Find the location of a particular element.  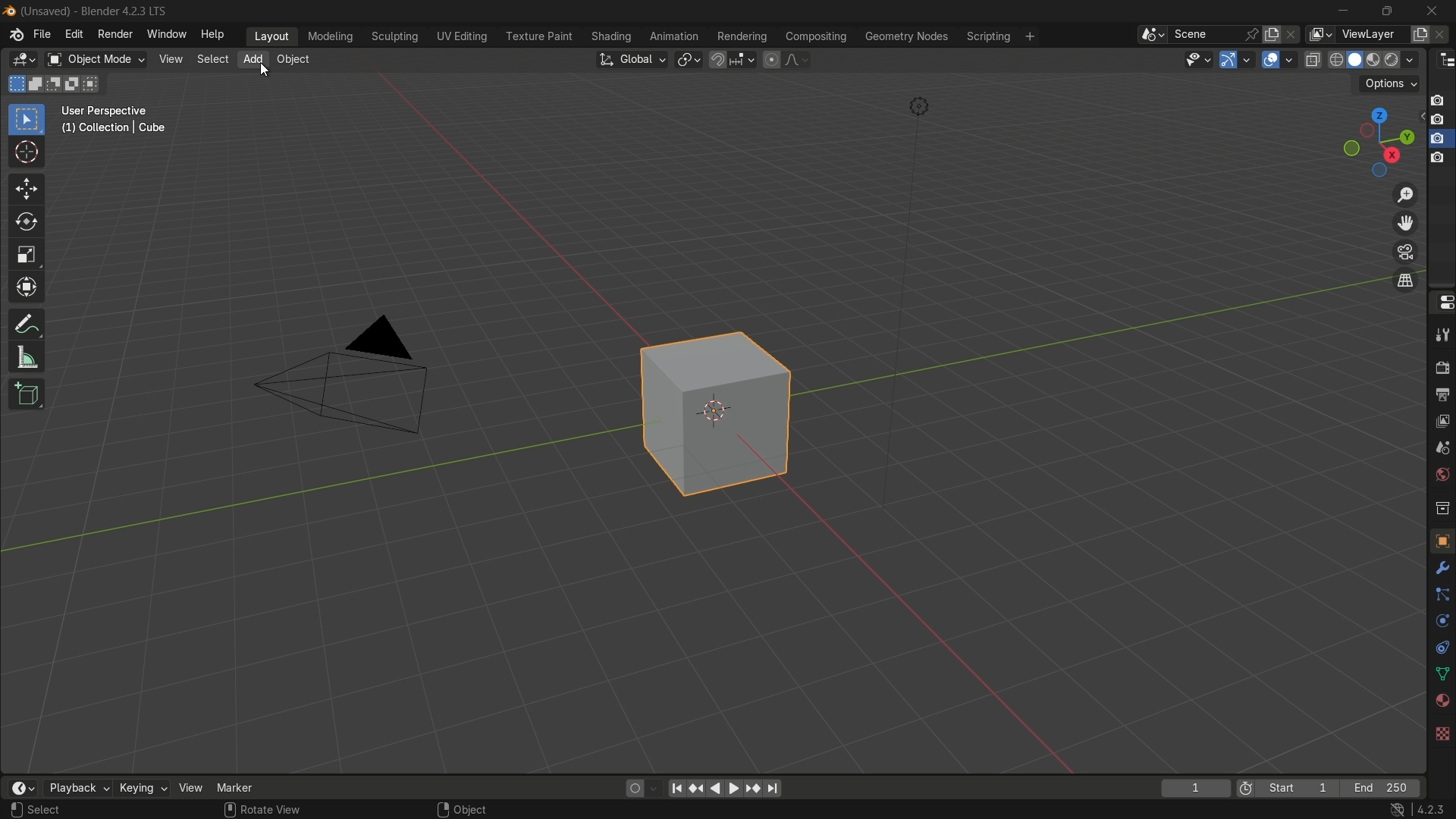

End 250 is located at coordinates (1379, 788).